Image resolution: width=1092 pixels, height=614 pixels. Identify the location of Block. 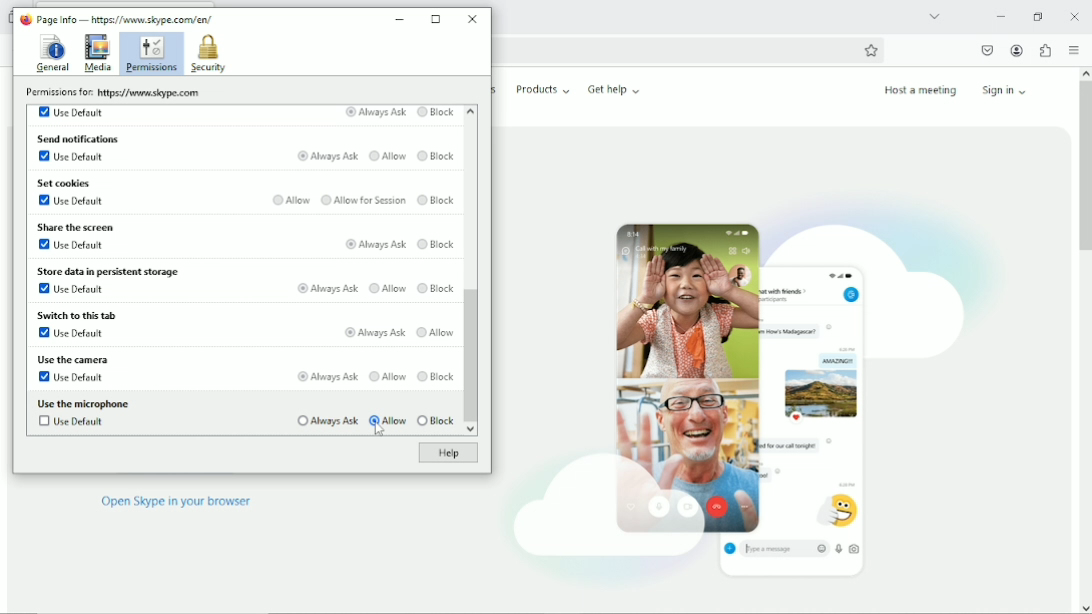
(436, 421).